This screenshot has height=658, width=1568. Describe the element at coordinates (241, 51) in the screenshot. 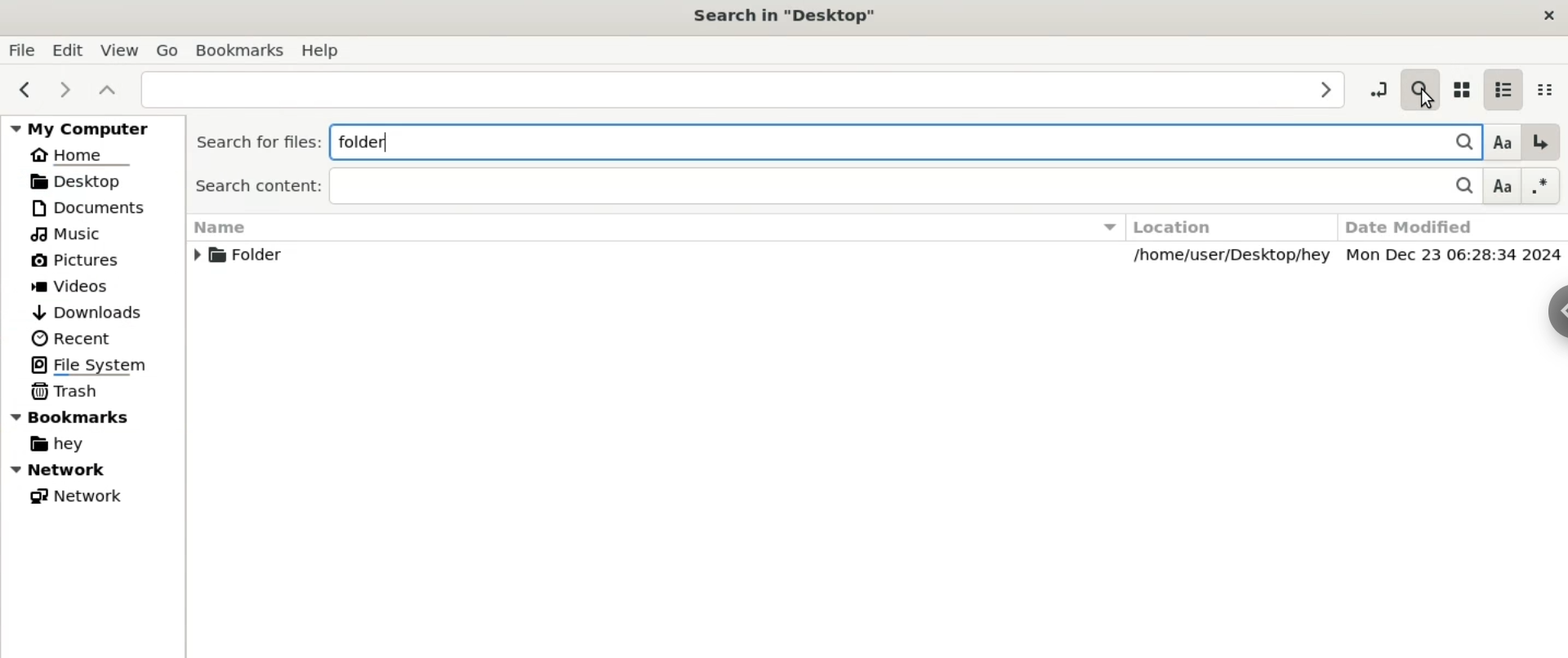

I see `Bookmarks` at that location.